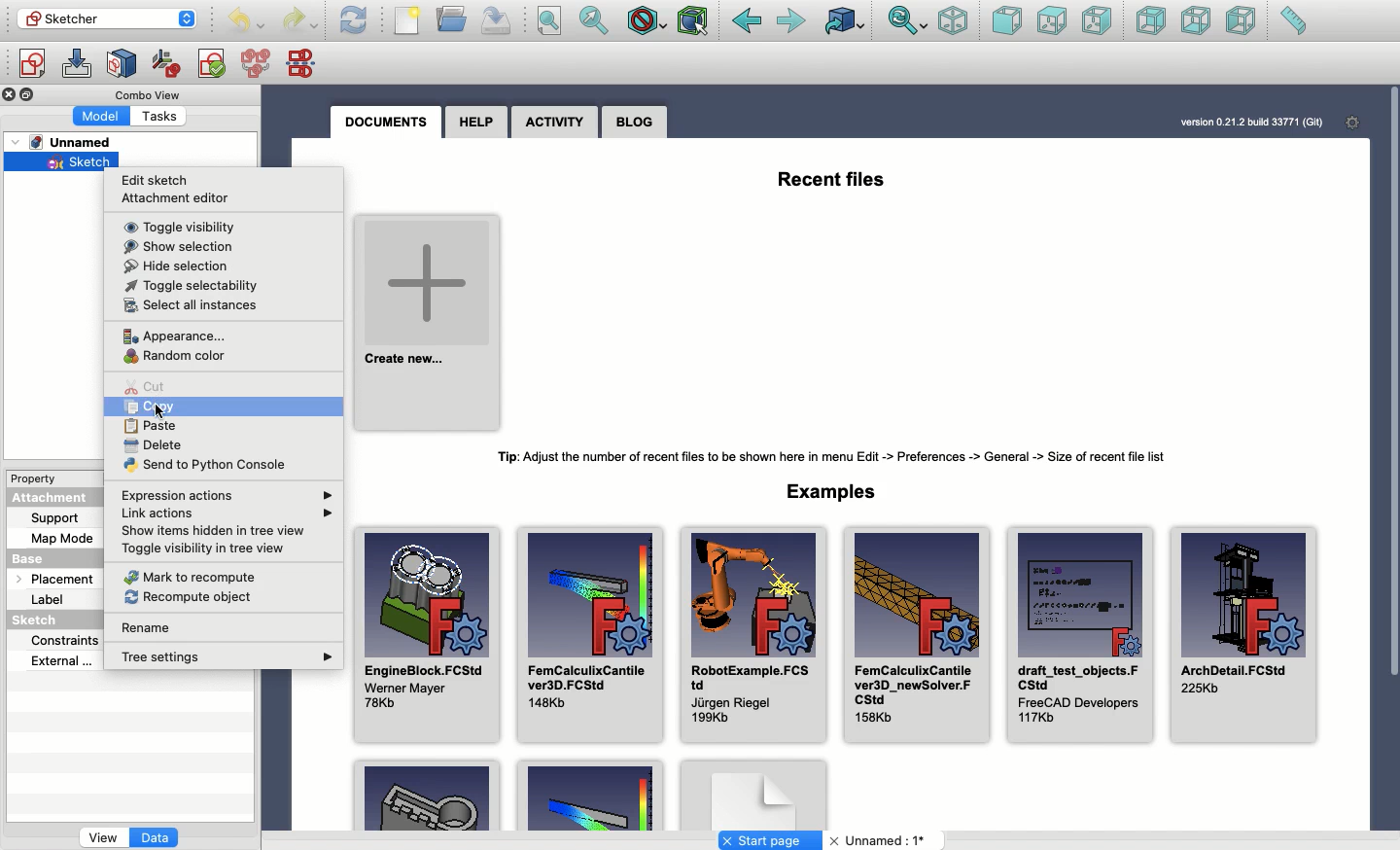  What do you see at coordinates (192, 577) in the screenshot?
I see `Mark to recompute` at bounding box center [192, 577].